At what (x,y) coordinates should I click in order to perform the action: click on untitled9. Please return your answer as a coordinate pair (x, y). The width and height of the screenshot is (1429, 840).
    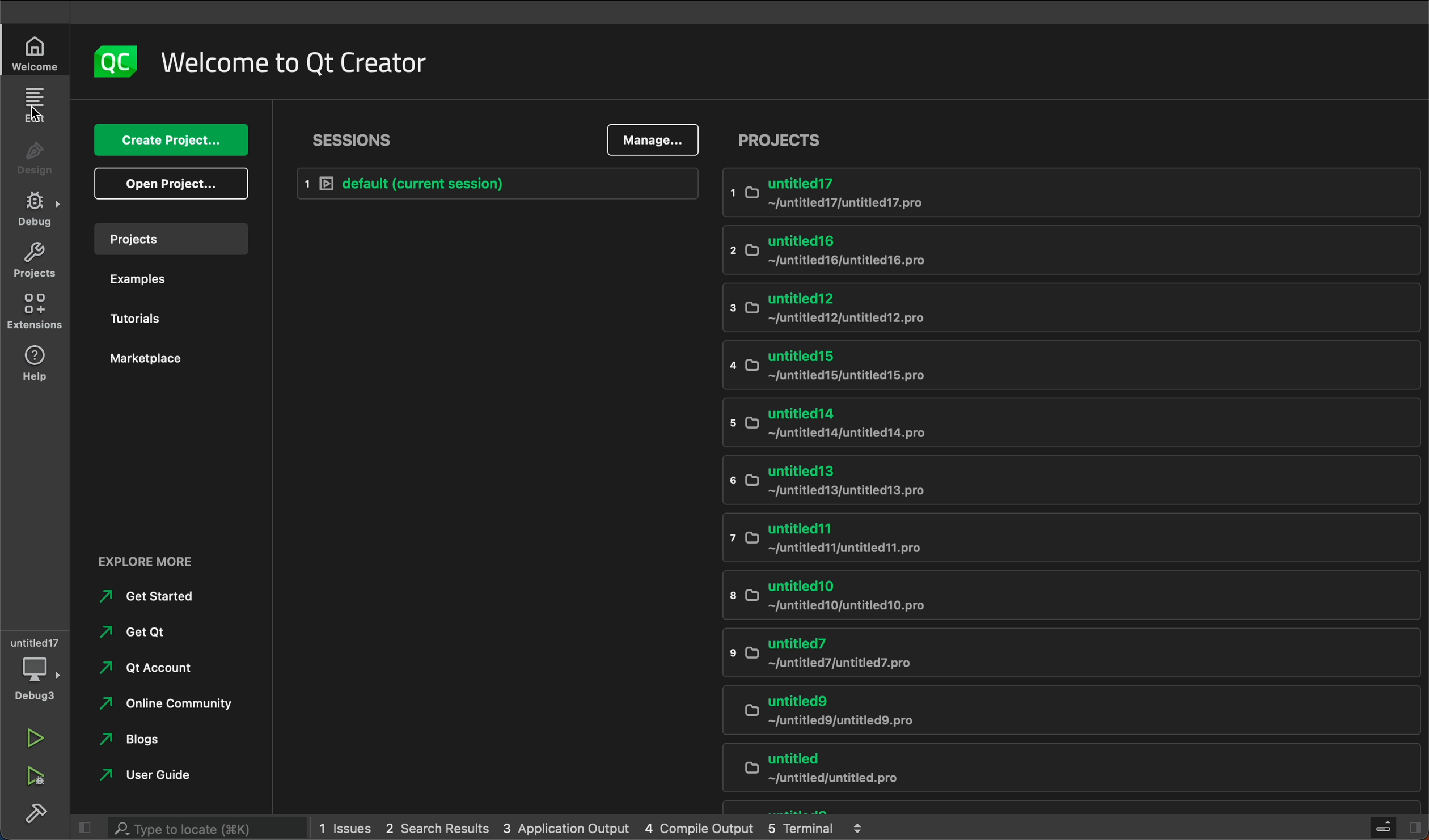
    Looking at the image, I should click on (1049, 707).